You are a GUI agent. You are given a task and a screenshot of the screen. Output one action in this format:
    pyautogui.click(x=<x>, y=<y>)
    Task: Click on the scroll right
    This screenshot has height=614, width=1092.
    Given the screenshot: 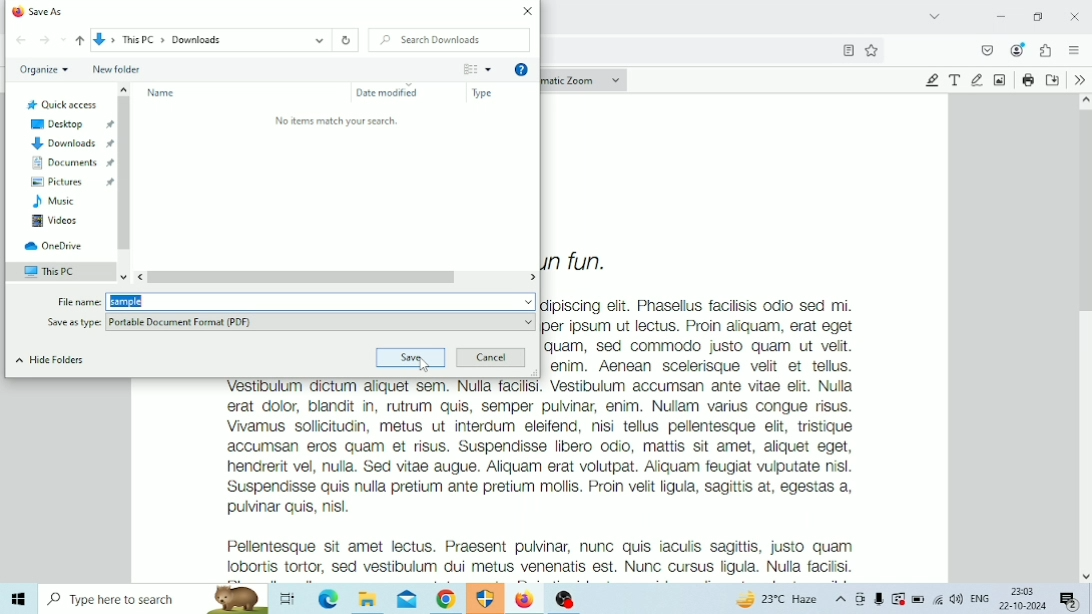 What is the action you would take?
    pyautogui.click(x=139, y=277)
    